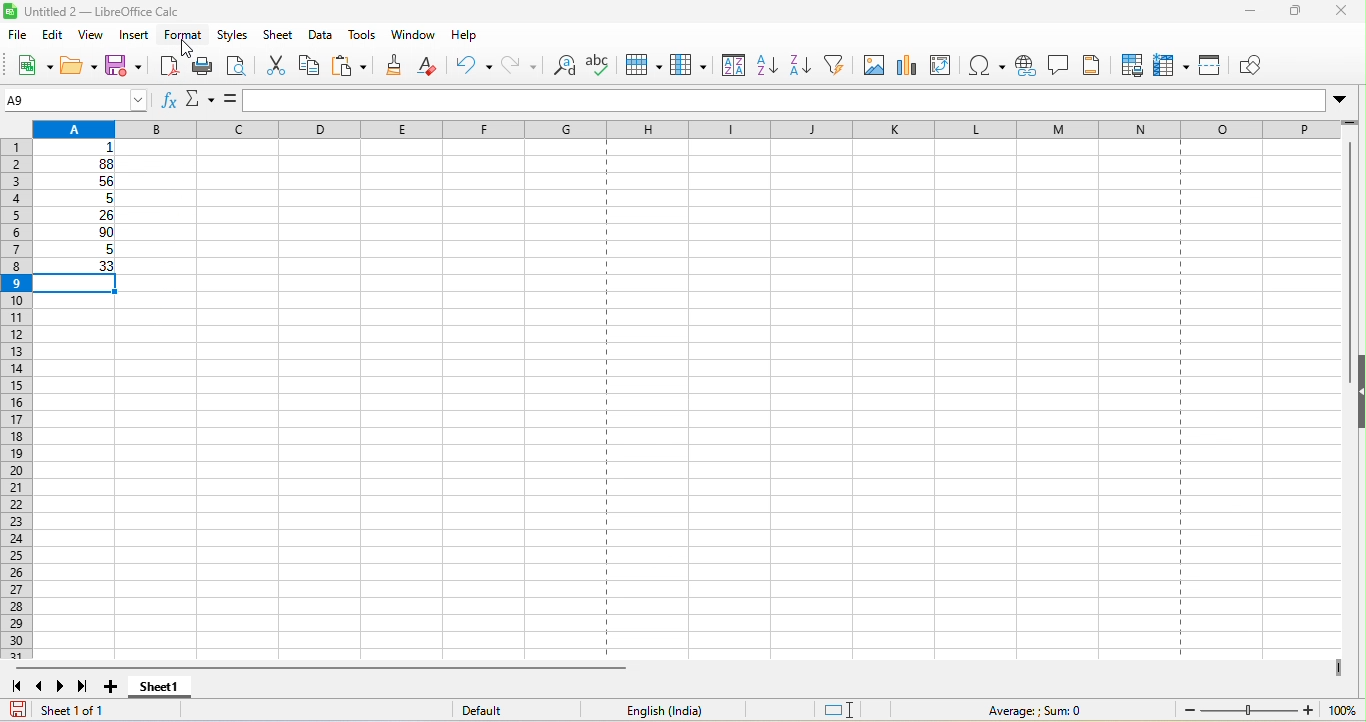 This screenshot has width=1366, height=722. Describe the element at coordinates (78, 267) in the screenshot. I see `33` at that location.